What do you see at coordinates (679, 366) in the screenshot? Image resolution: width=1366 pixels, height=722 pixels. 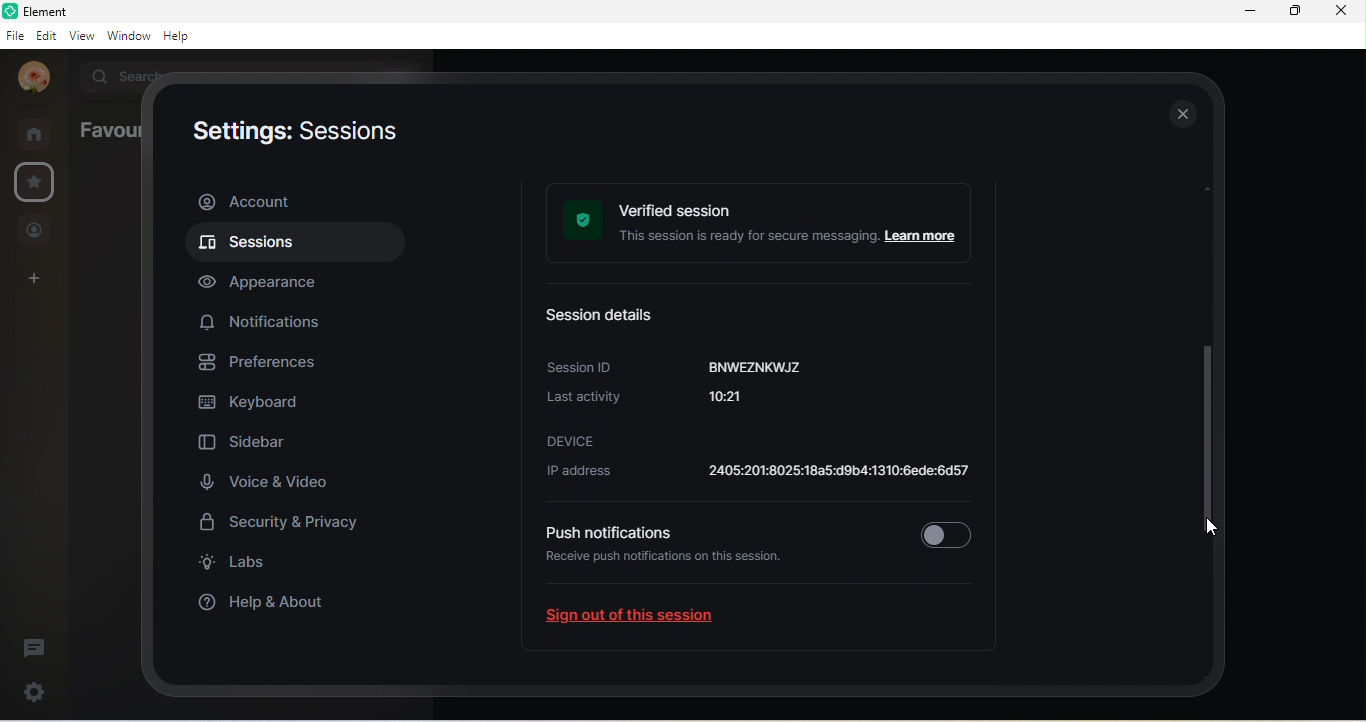 I see `session id: BNWEZNKWJZ` at bounding box center [679, 366].